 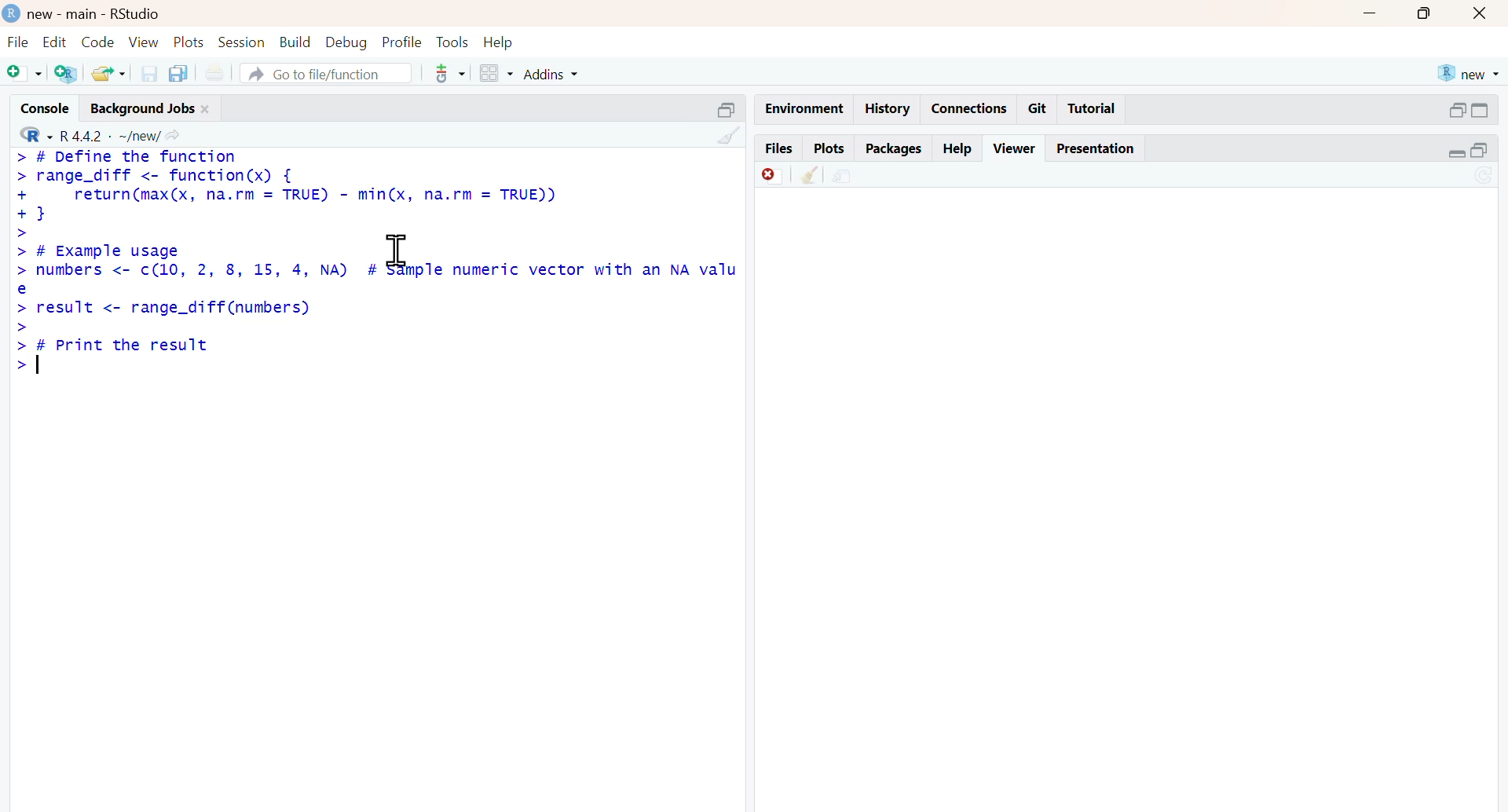 What do you see at coordinates (451, 73) in the screenshot?
I see `tools` at bounding box center [451, 73].